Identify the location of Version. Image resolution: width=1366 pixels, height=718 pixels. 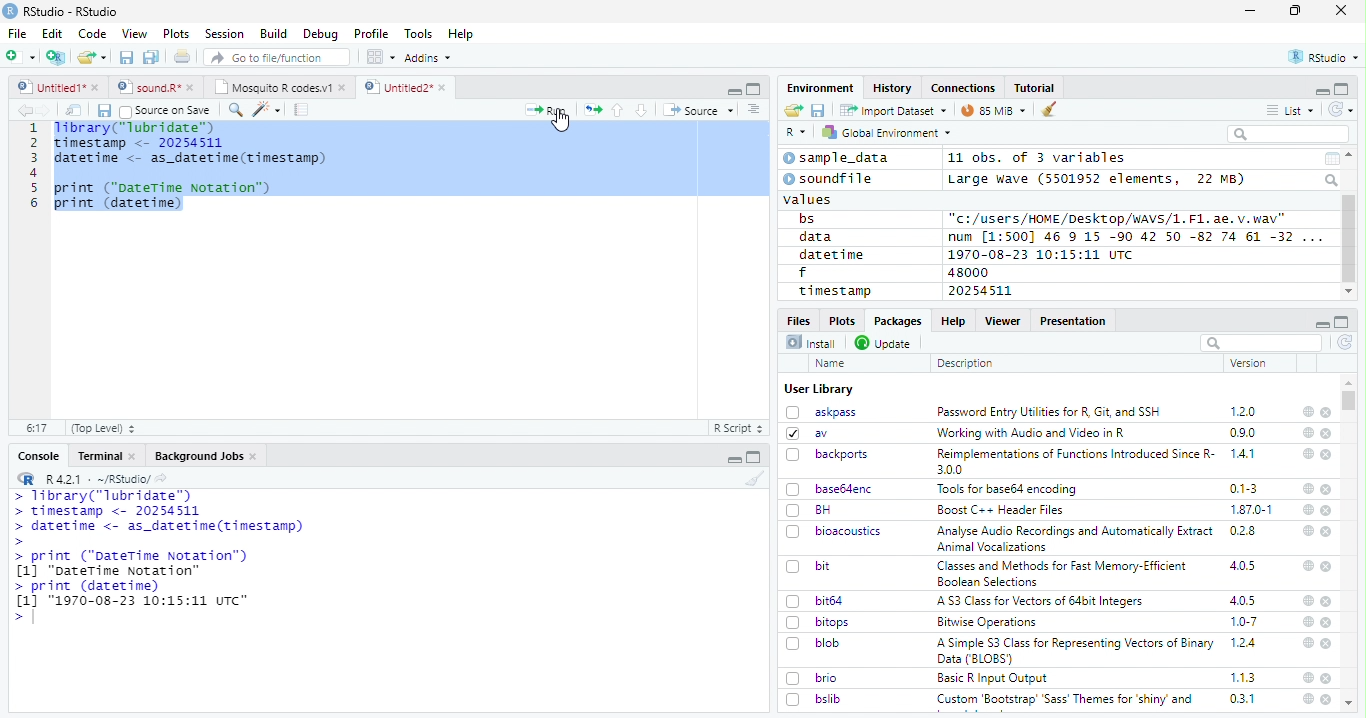
(1252, 363).